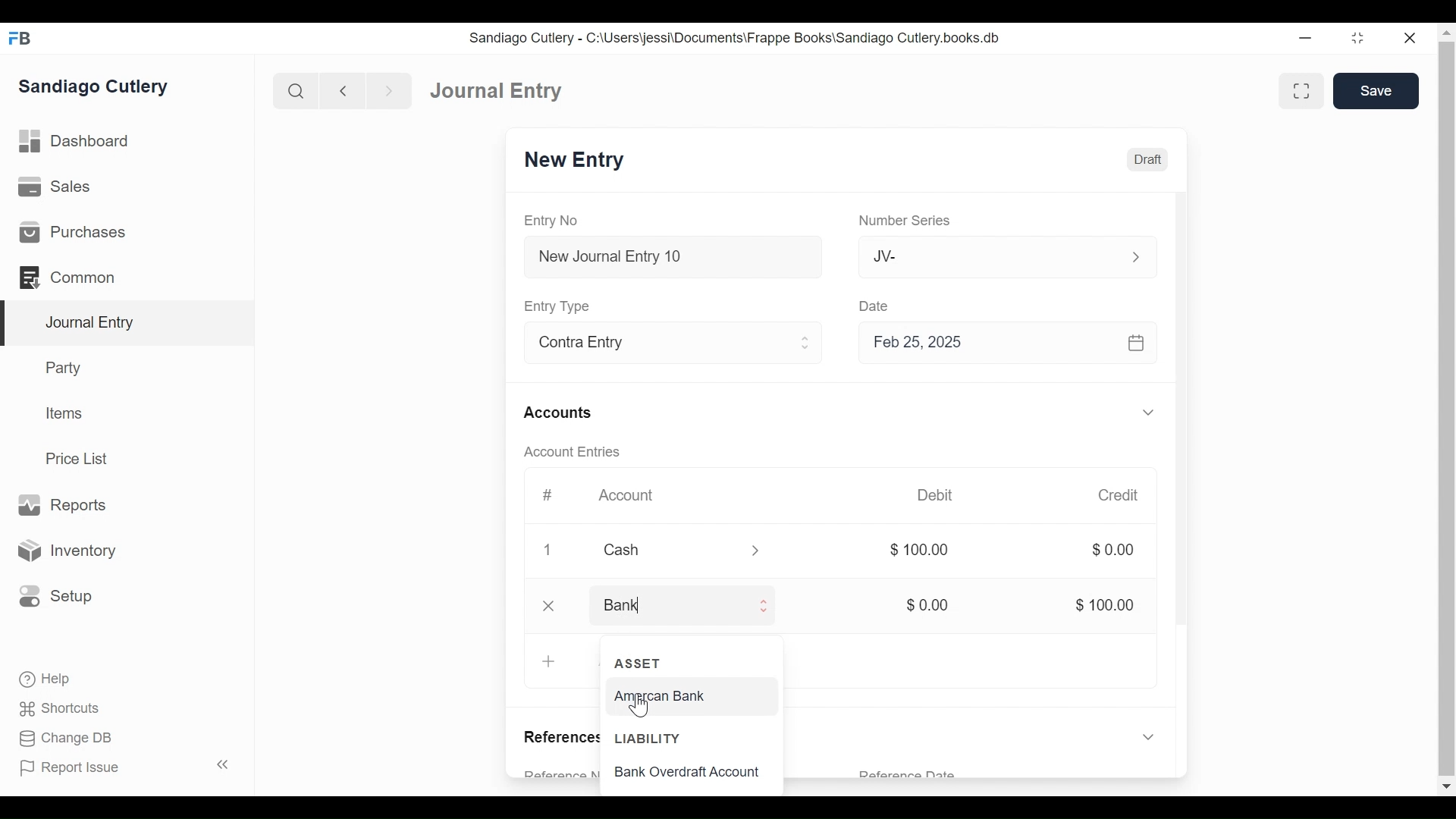 This screenshot has height=819, width=1456. I want to click on $0.00, so click(934, 605).